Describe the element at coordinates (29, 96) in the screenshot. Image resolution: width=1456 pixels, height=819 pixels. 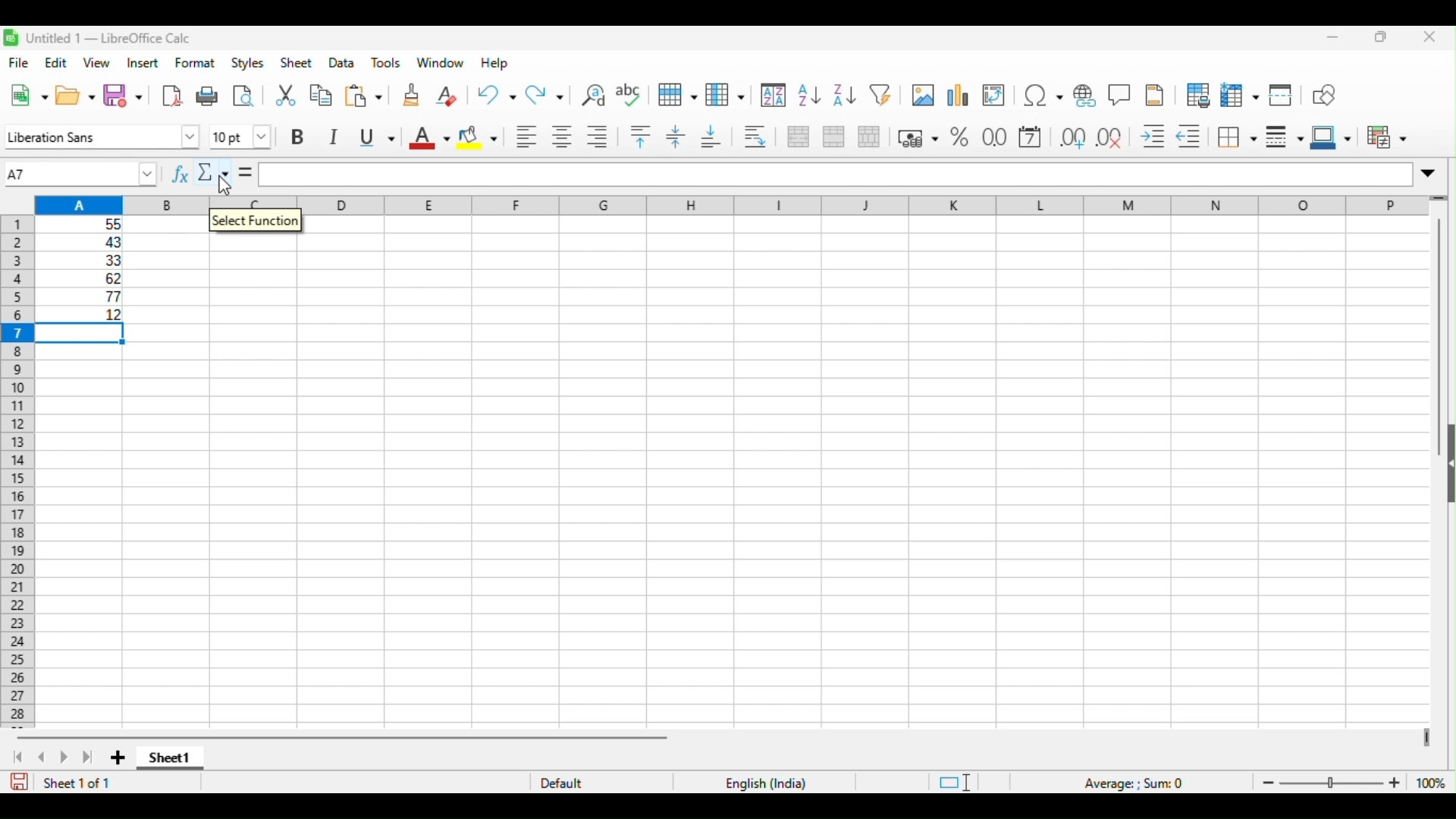
I see `new` at that location.